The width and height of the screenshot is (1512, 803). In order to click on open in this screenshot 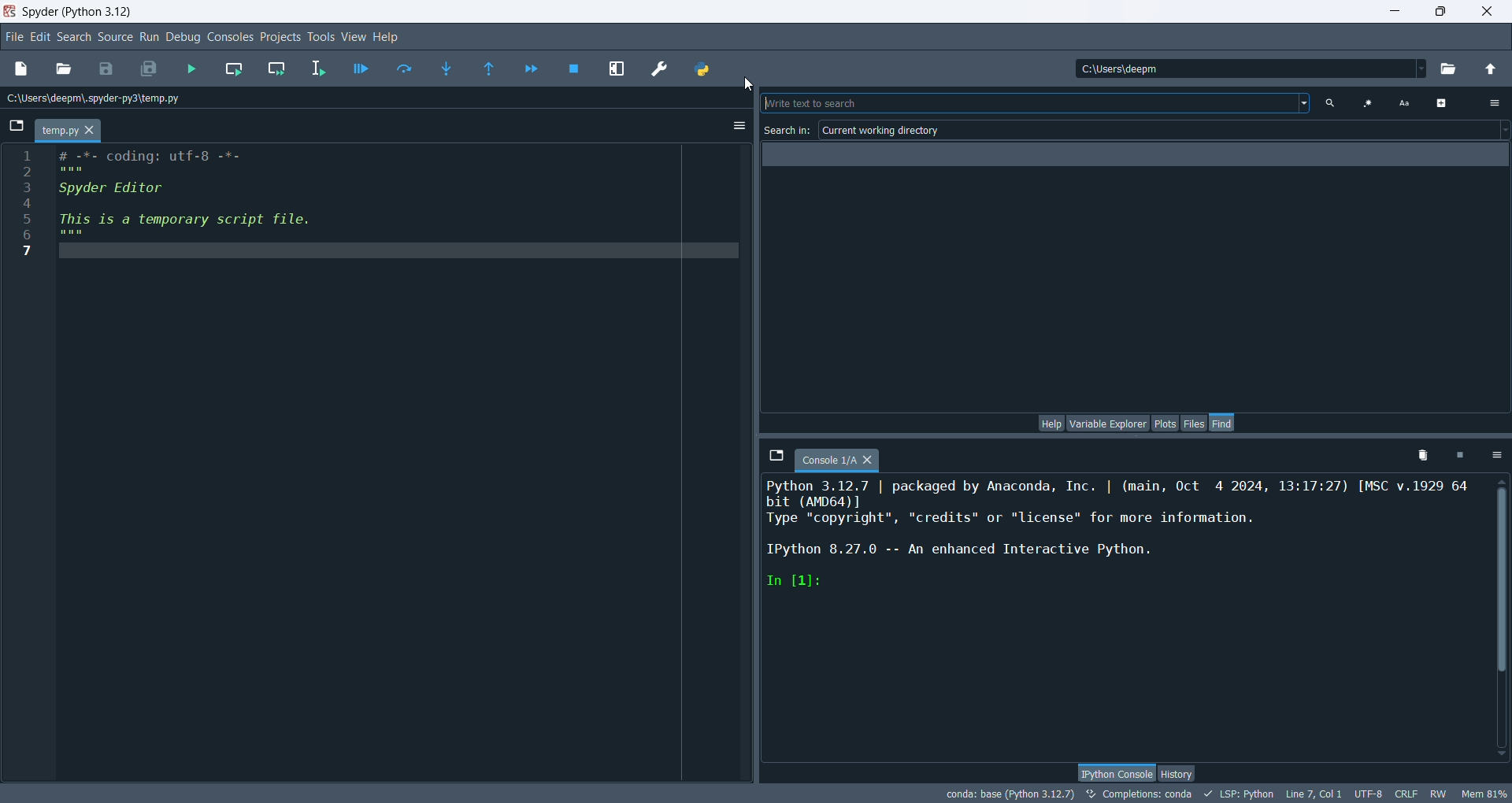, I will do `click(65, 68)`.